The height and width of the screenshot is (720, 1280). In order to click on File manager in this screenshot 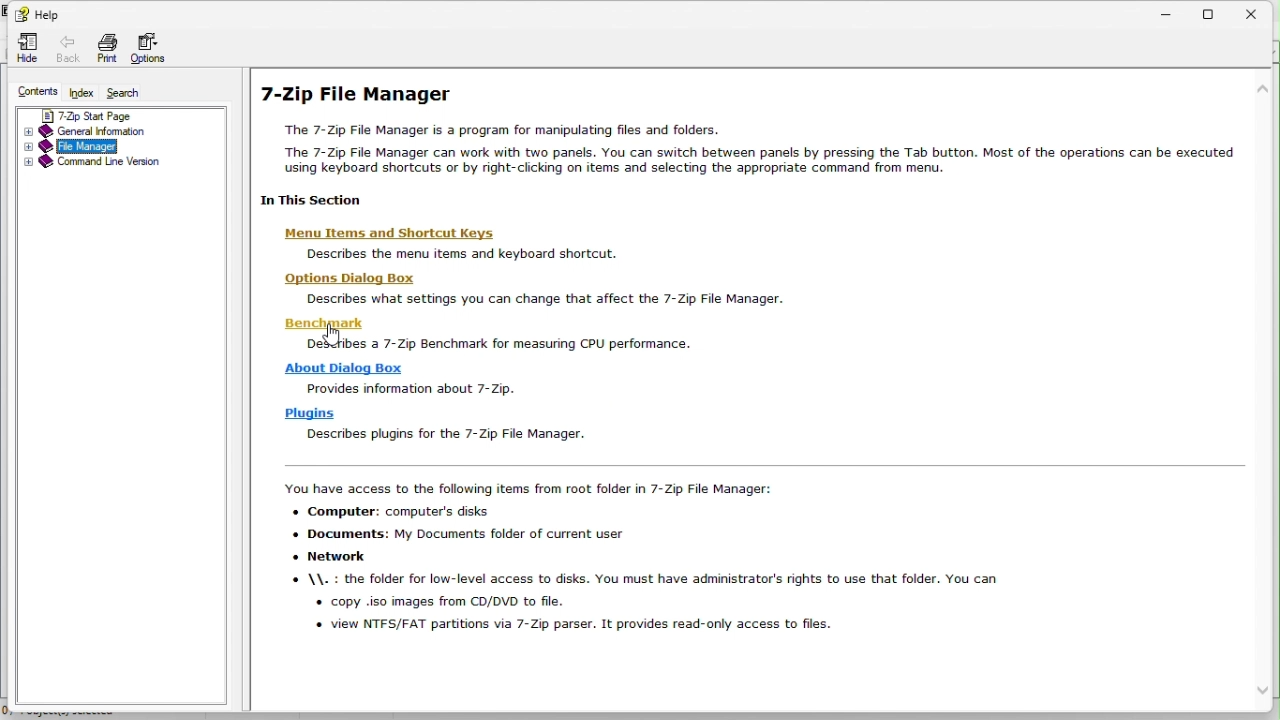, I will do `click(112, 146)`.